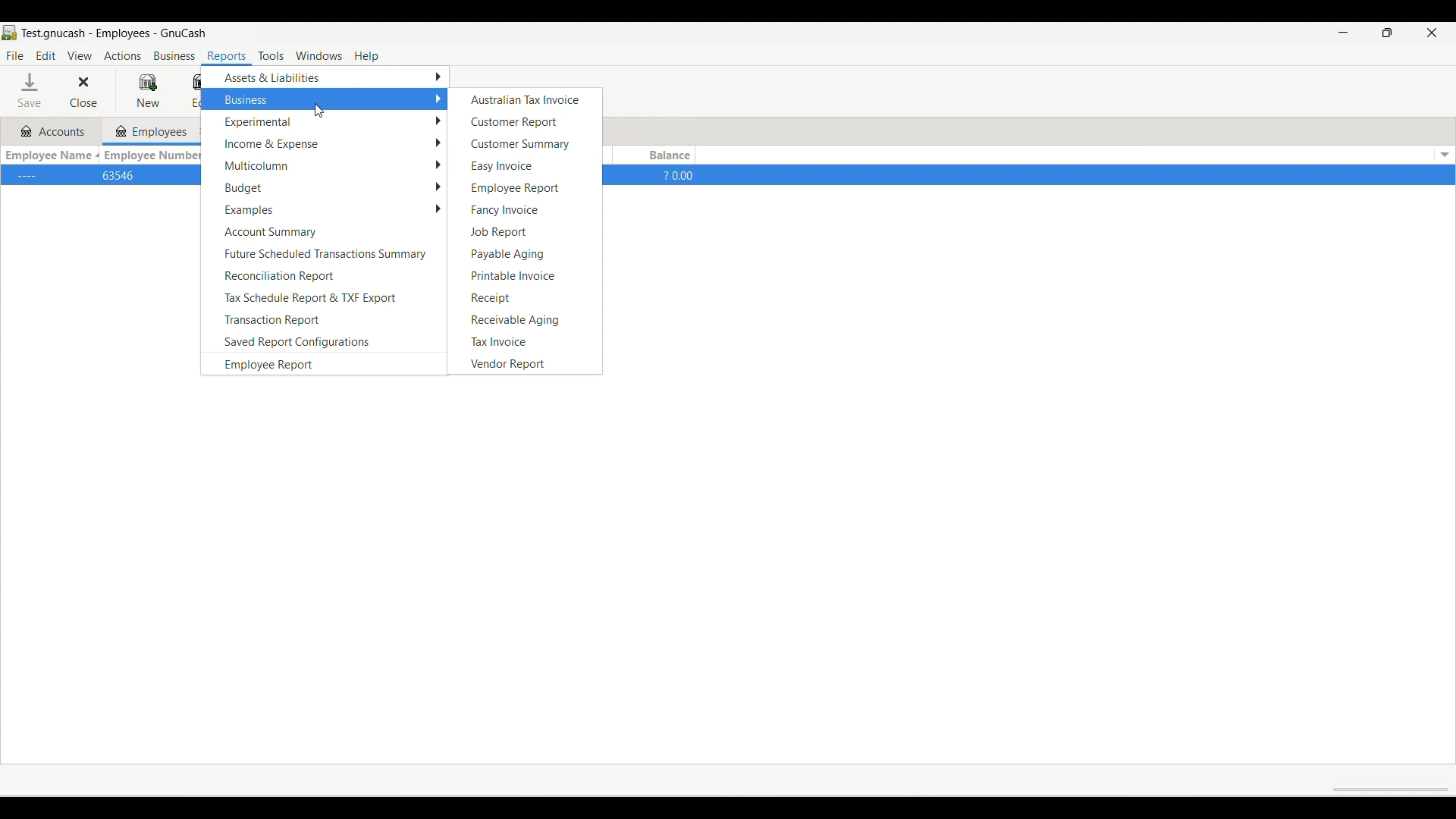 This screenshot has height=819, width=1456. Describe the element at coordinates (324, 231) in the screenshot. I see `Account summary` at that location.